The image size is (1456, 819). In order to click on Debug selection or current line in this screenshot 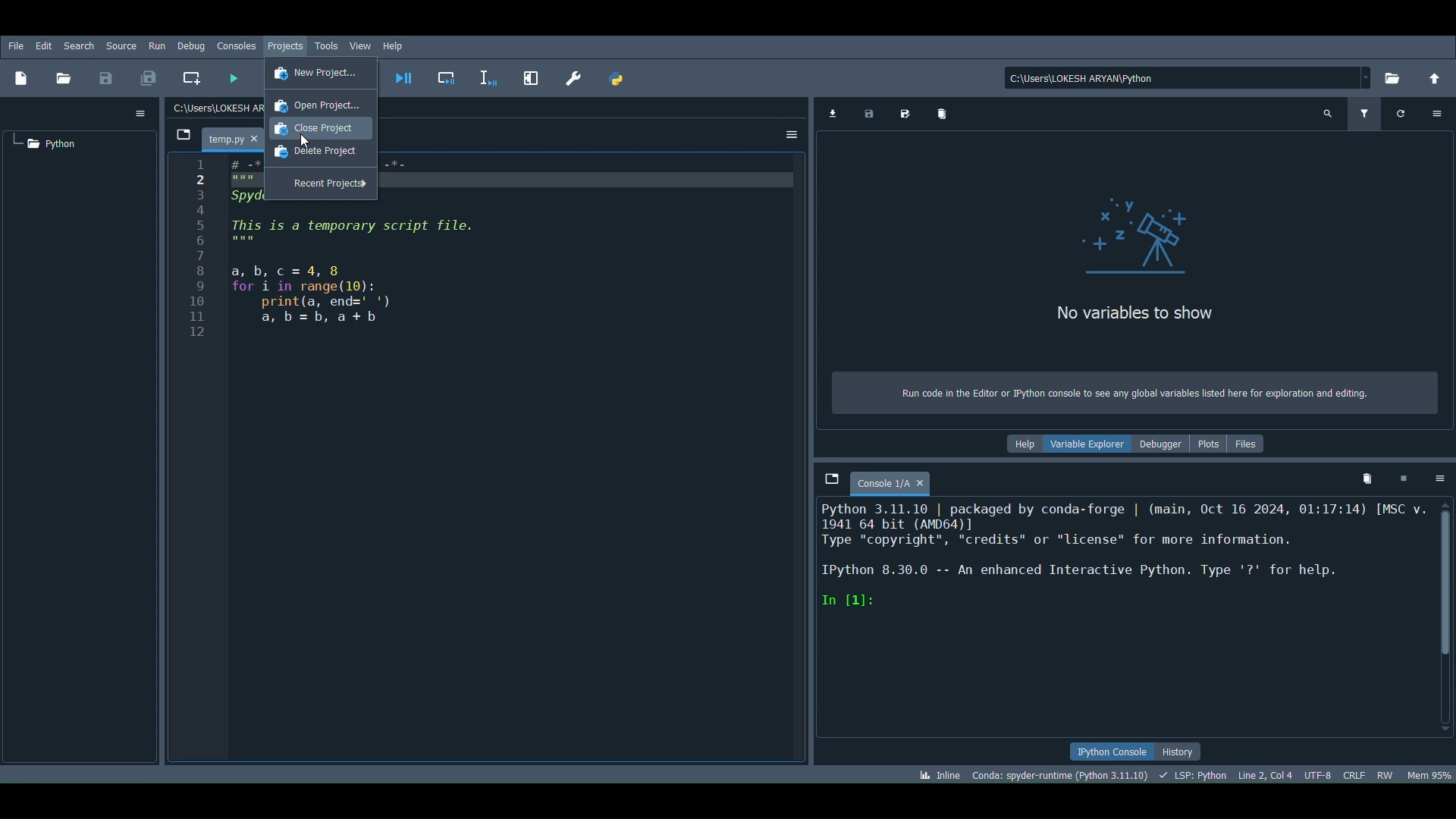, I will do `click(488, 76)`.